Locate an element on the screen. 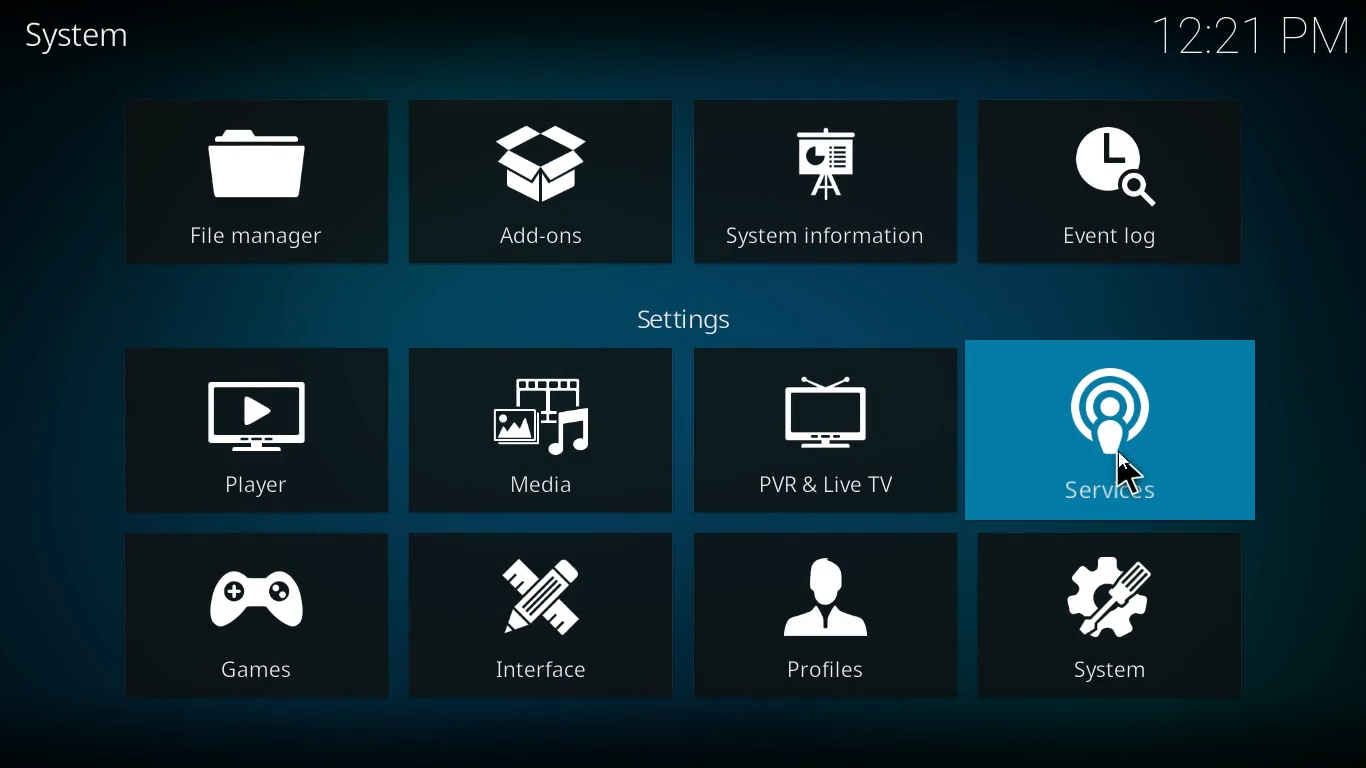  event log is located at coordinates (1114, 182).